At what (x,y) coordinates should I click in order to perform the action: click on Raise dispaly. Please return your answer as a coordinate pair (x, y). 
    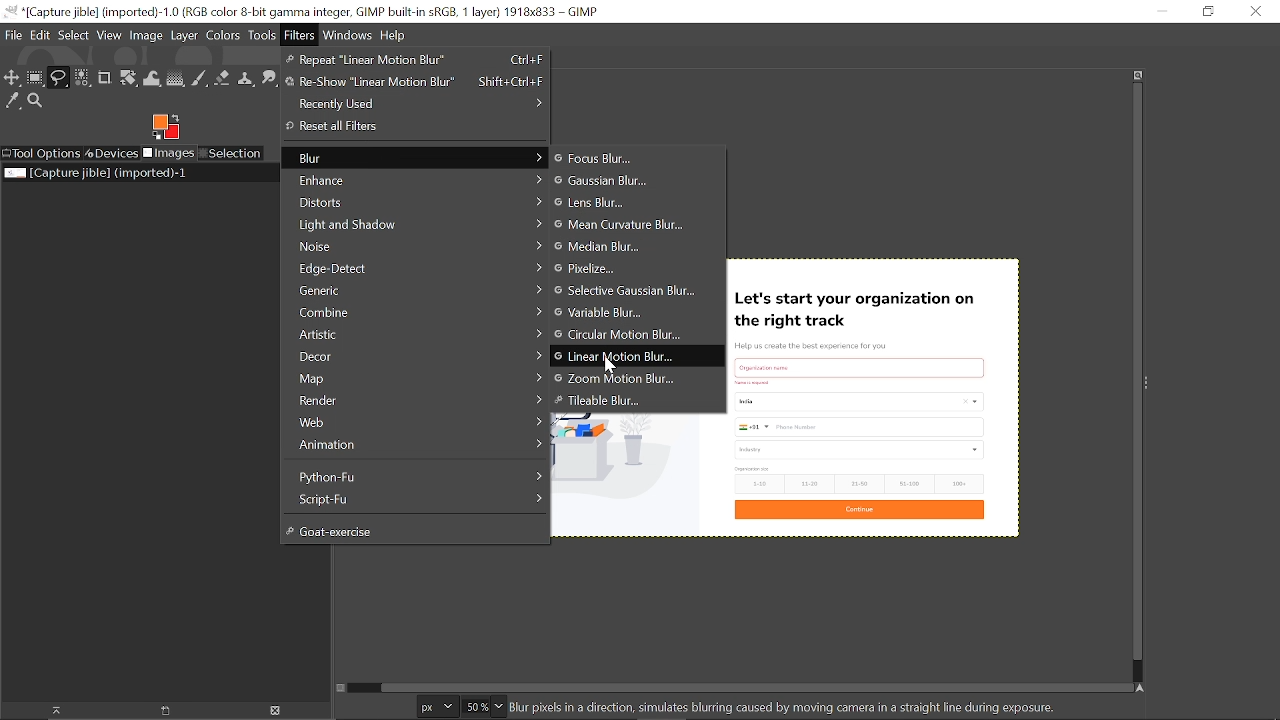
    Looking at the image, I should click on (50, 711).